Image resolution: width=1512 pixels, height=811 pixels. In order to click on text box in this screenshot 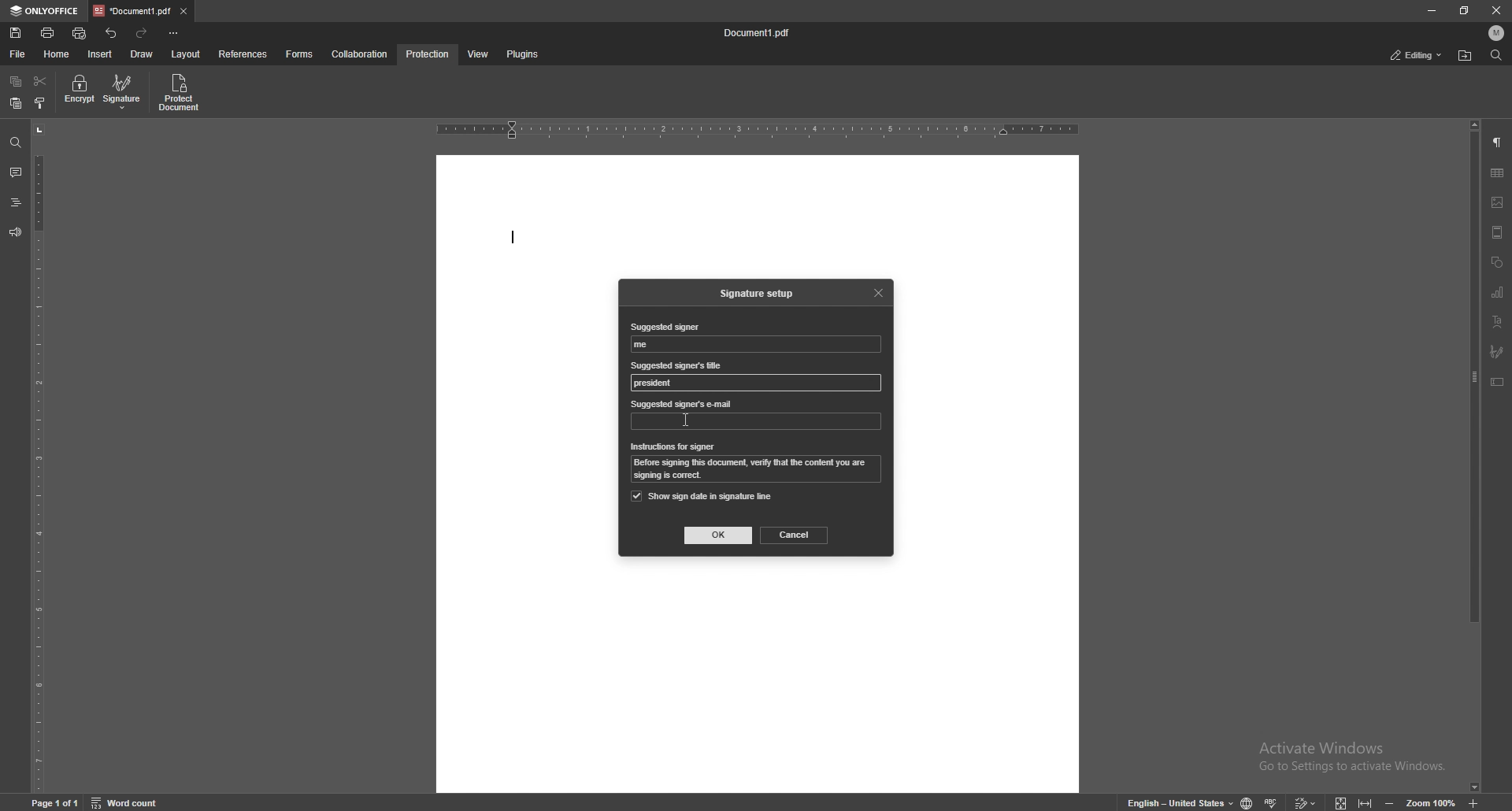, I will do `click(1497, 382)`.